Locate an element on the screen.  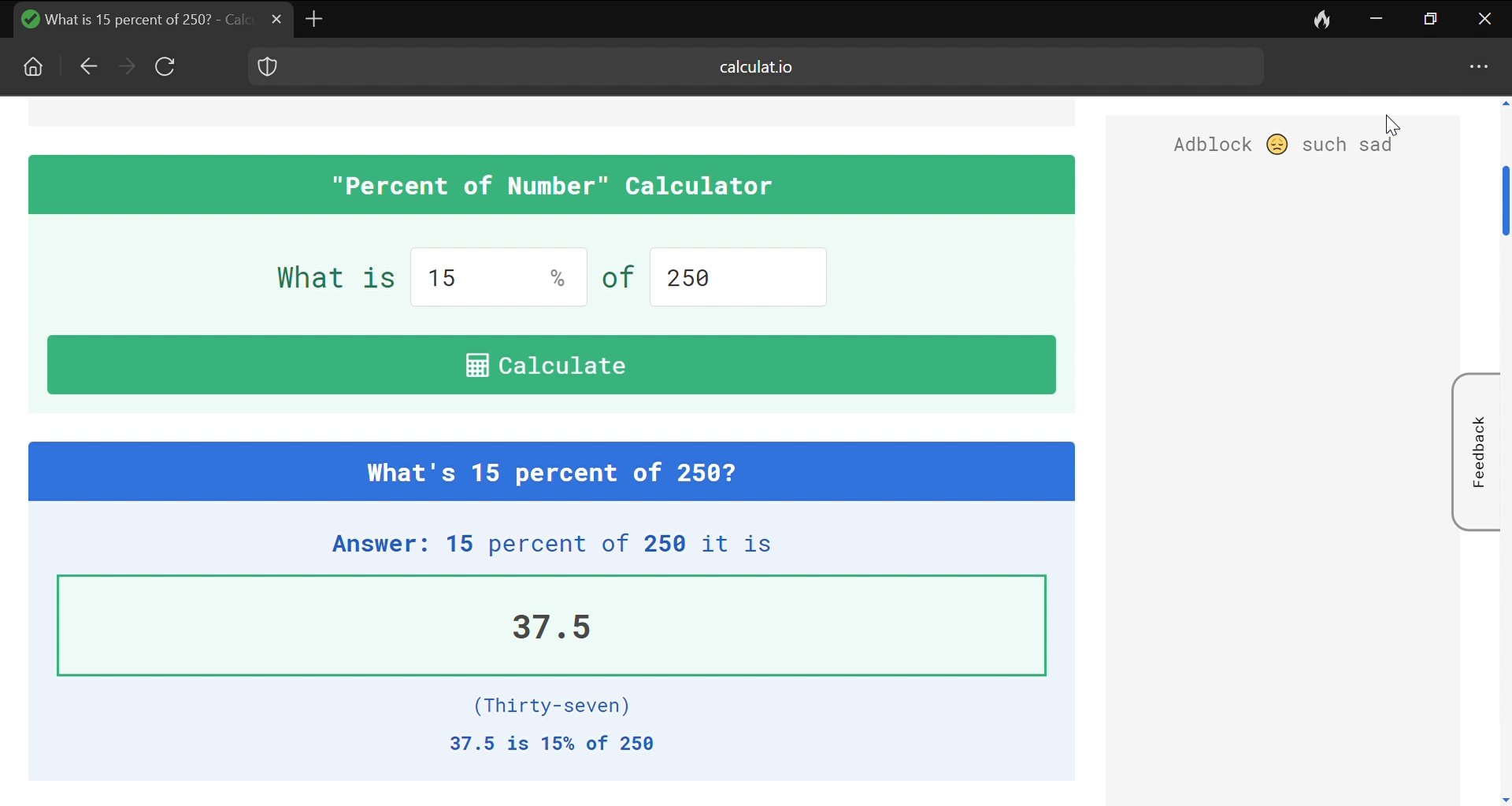
maximize is located at coordinates (1432, 20).